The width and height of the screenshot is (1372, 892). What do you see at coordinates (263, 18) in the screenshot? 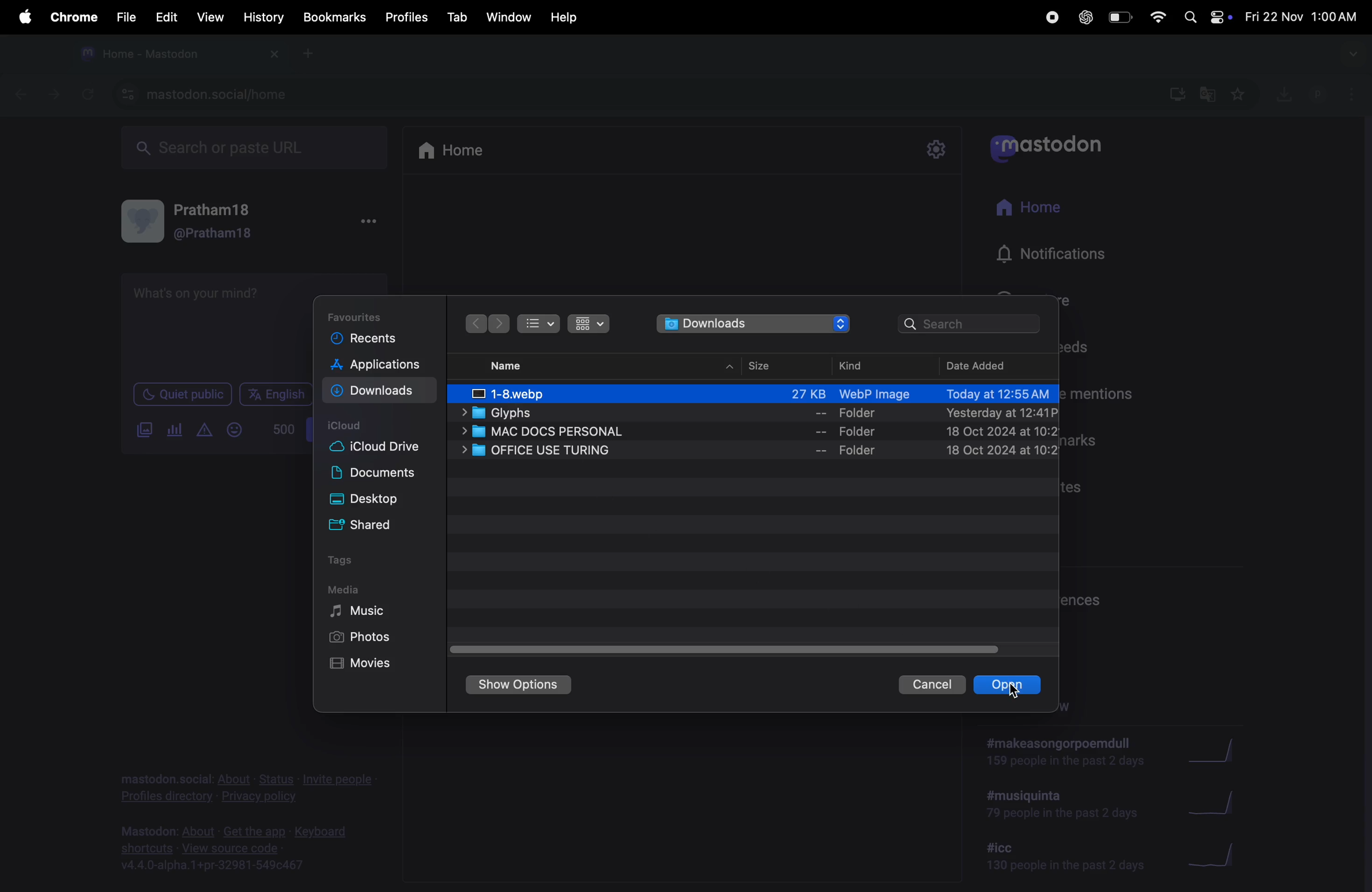
I see `history` at bounding box center [263, 18].